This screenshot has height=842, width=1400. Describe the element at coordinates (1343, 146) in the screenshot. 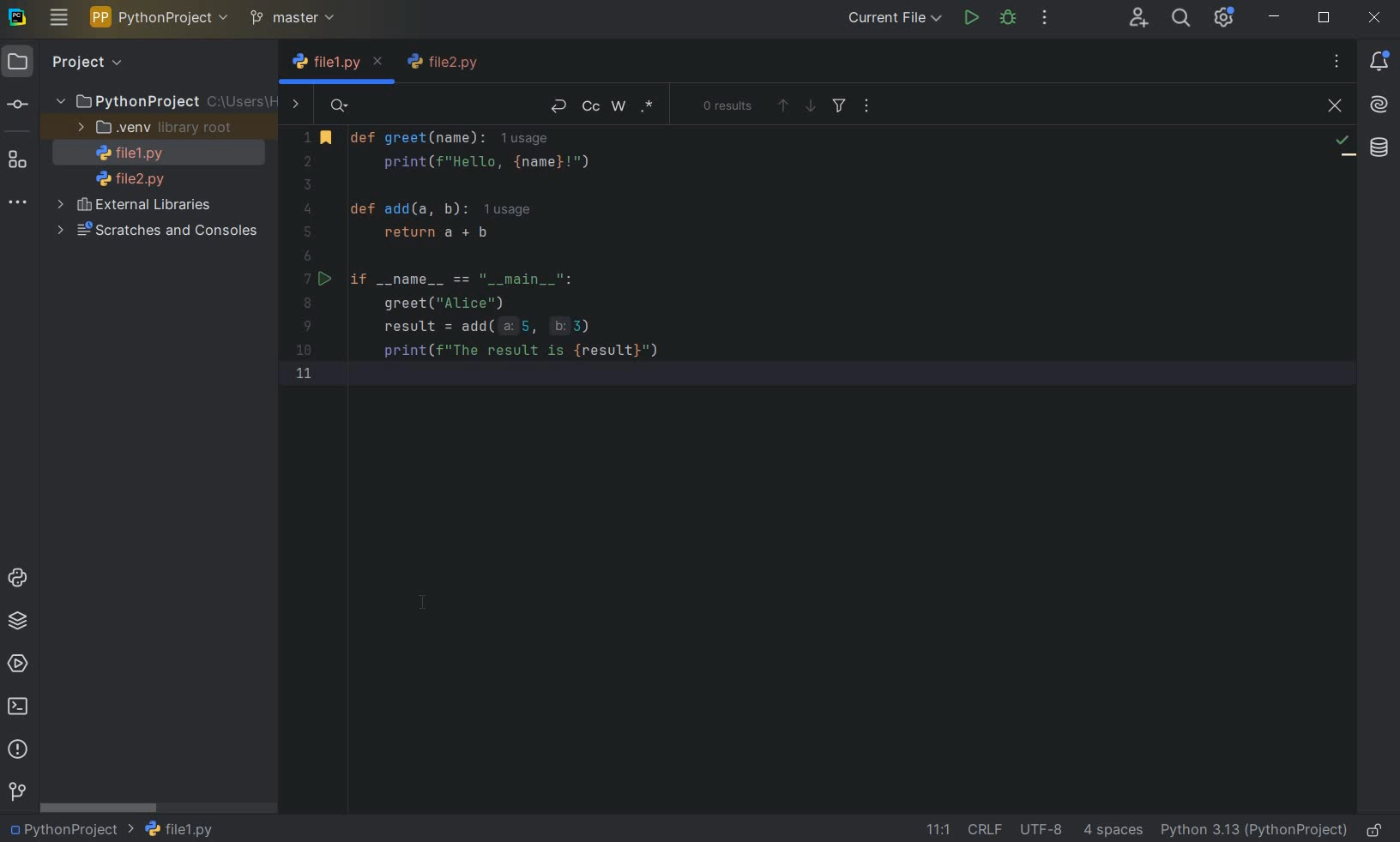

I see `NO PROBLEMS FOUND` at that location.